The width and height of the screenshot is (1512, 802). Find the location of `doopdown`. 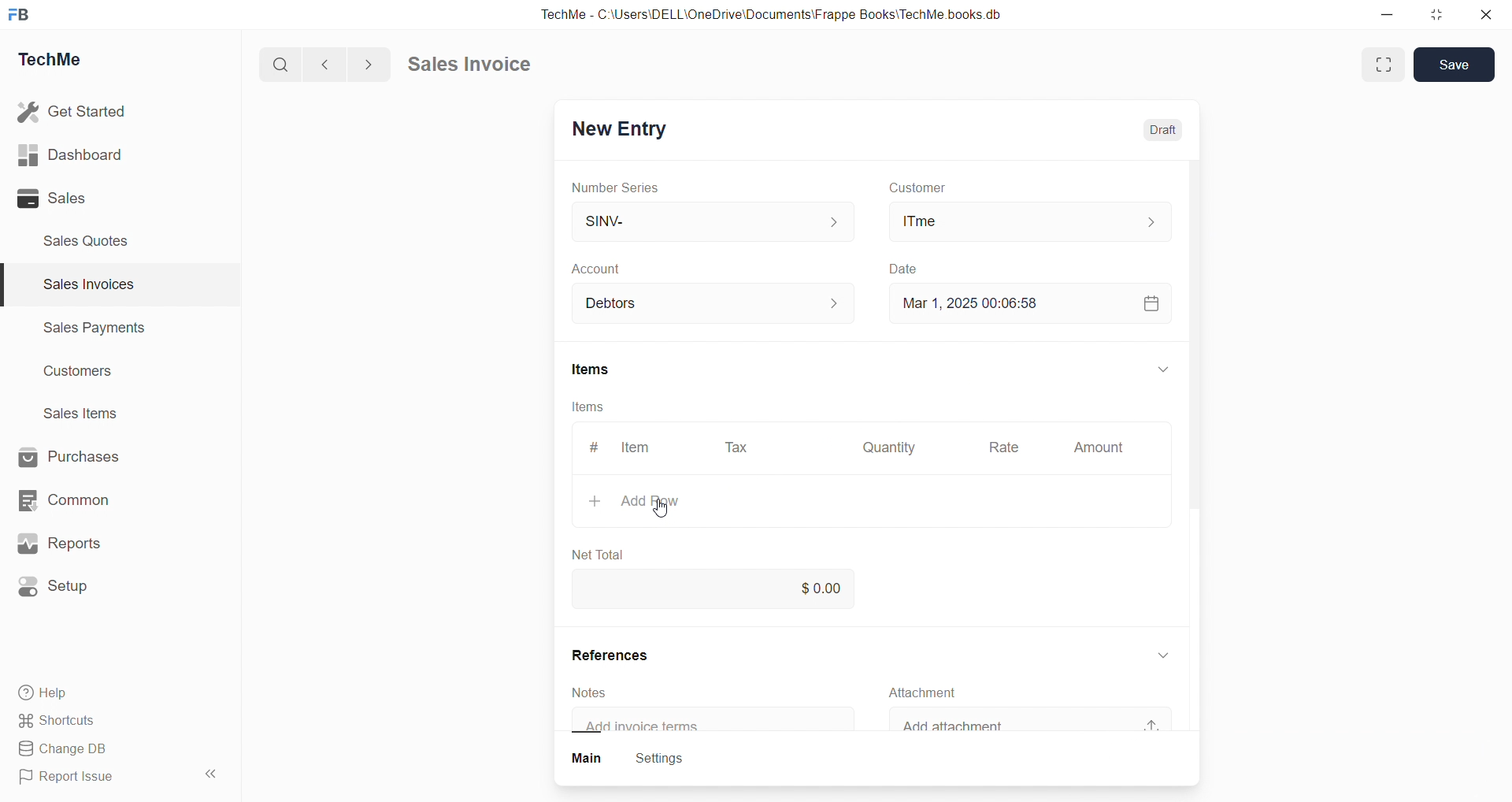

doopdown is located at coordinates (1161, 366).